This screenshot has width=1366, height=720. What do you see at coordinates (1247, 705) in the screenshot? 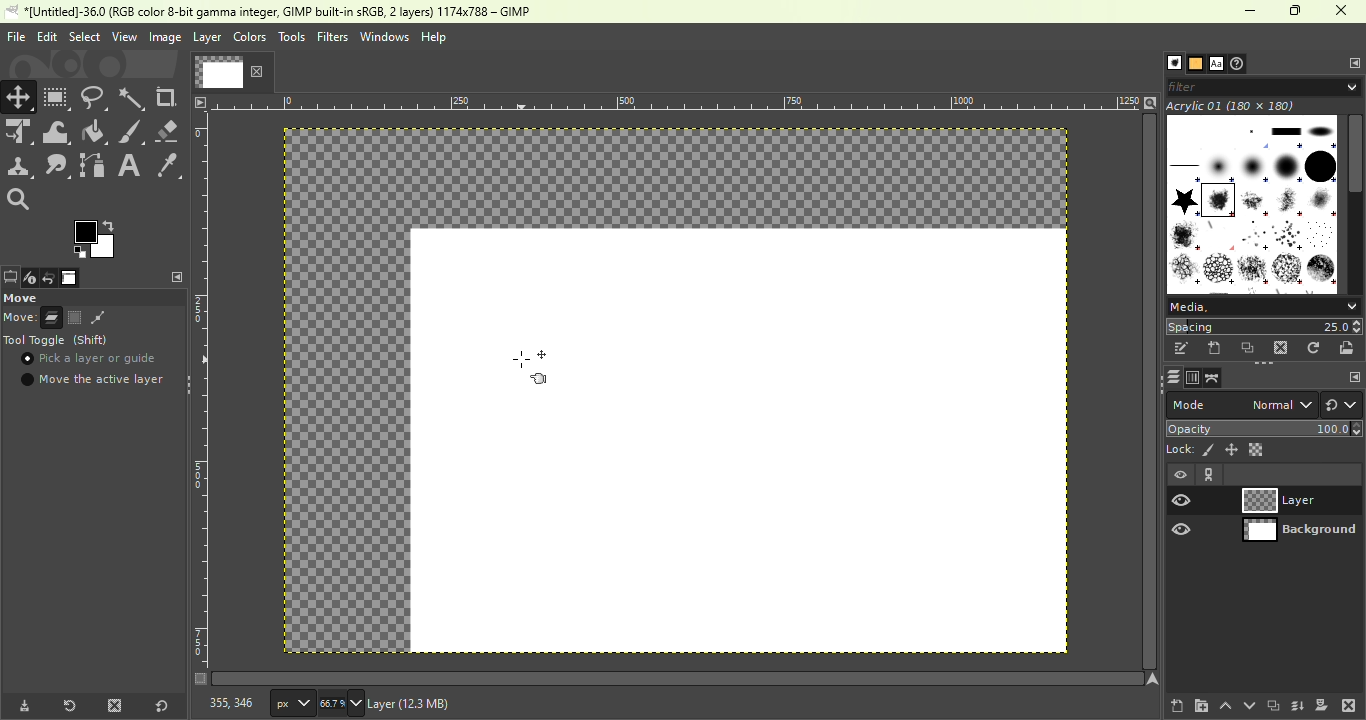
I see `Move this layer to the bottom of the layer stack` at bounding box center [1247, 705].